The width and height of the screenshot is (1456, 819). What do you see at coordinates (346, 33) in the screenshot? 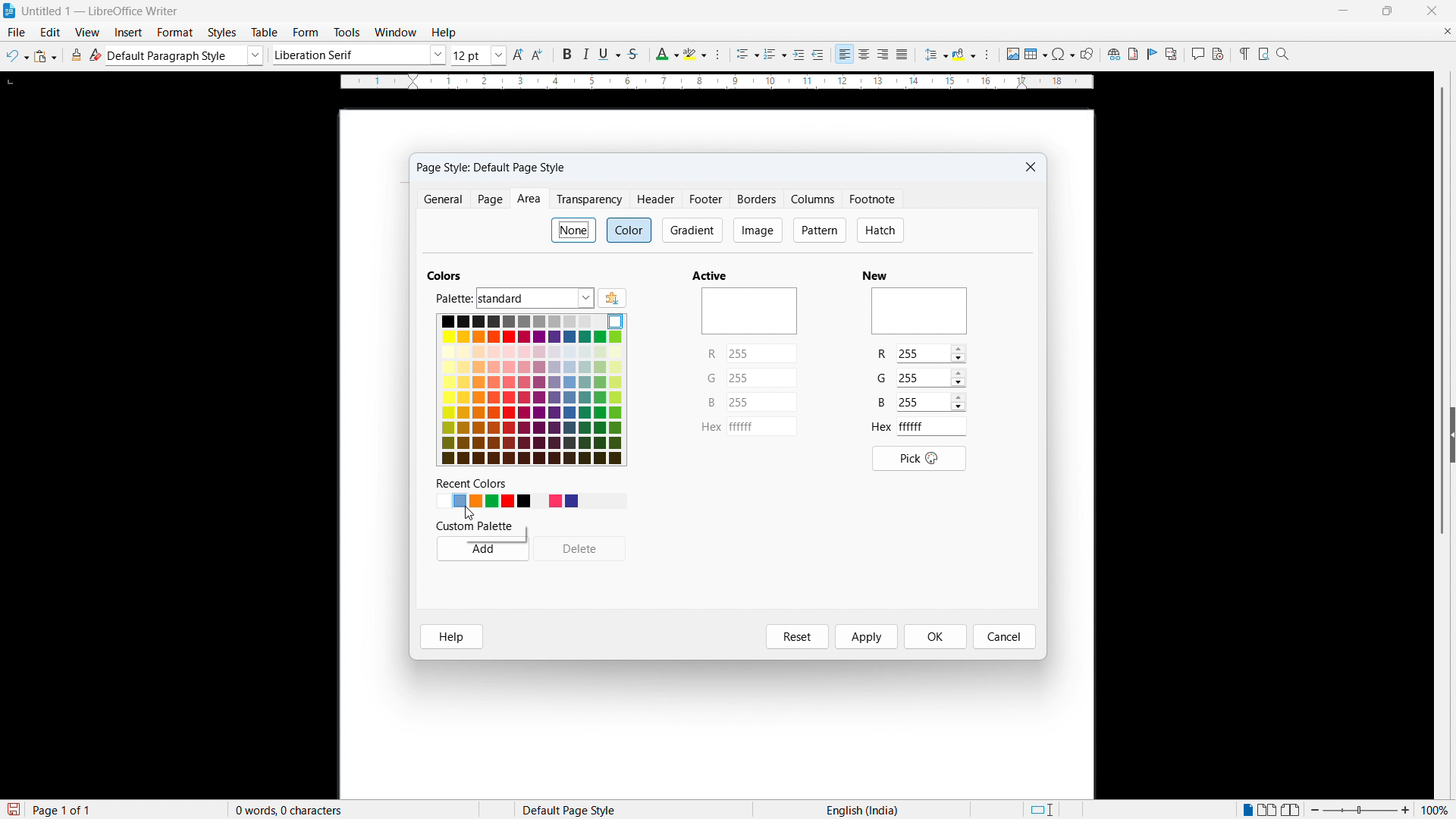
I see `Tools ` at bounding box center [346, 33].